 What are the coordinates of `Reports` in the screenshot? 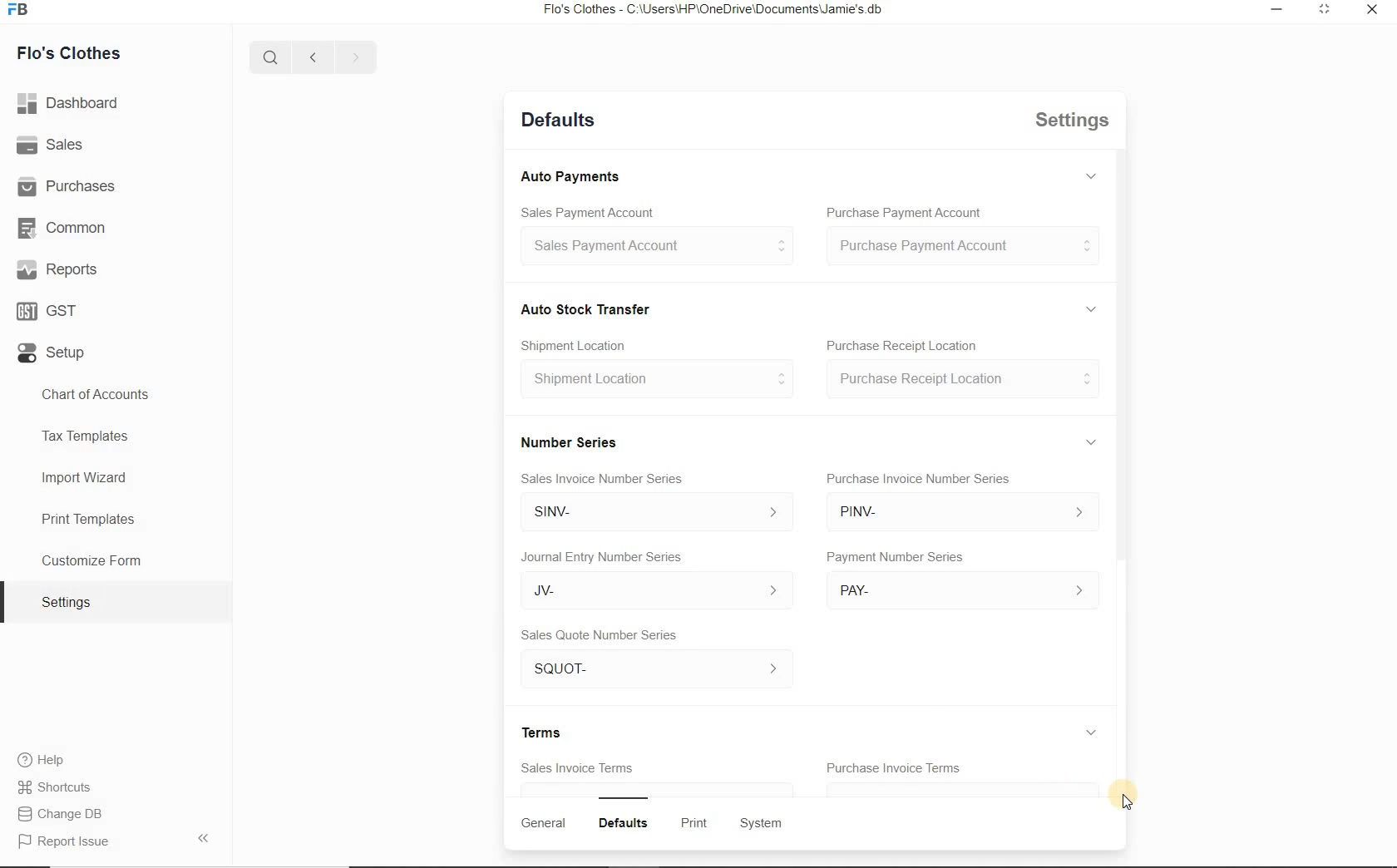 It's located at (57, 271).